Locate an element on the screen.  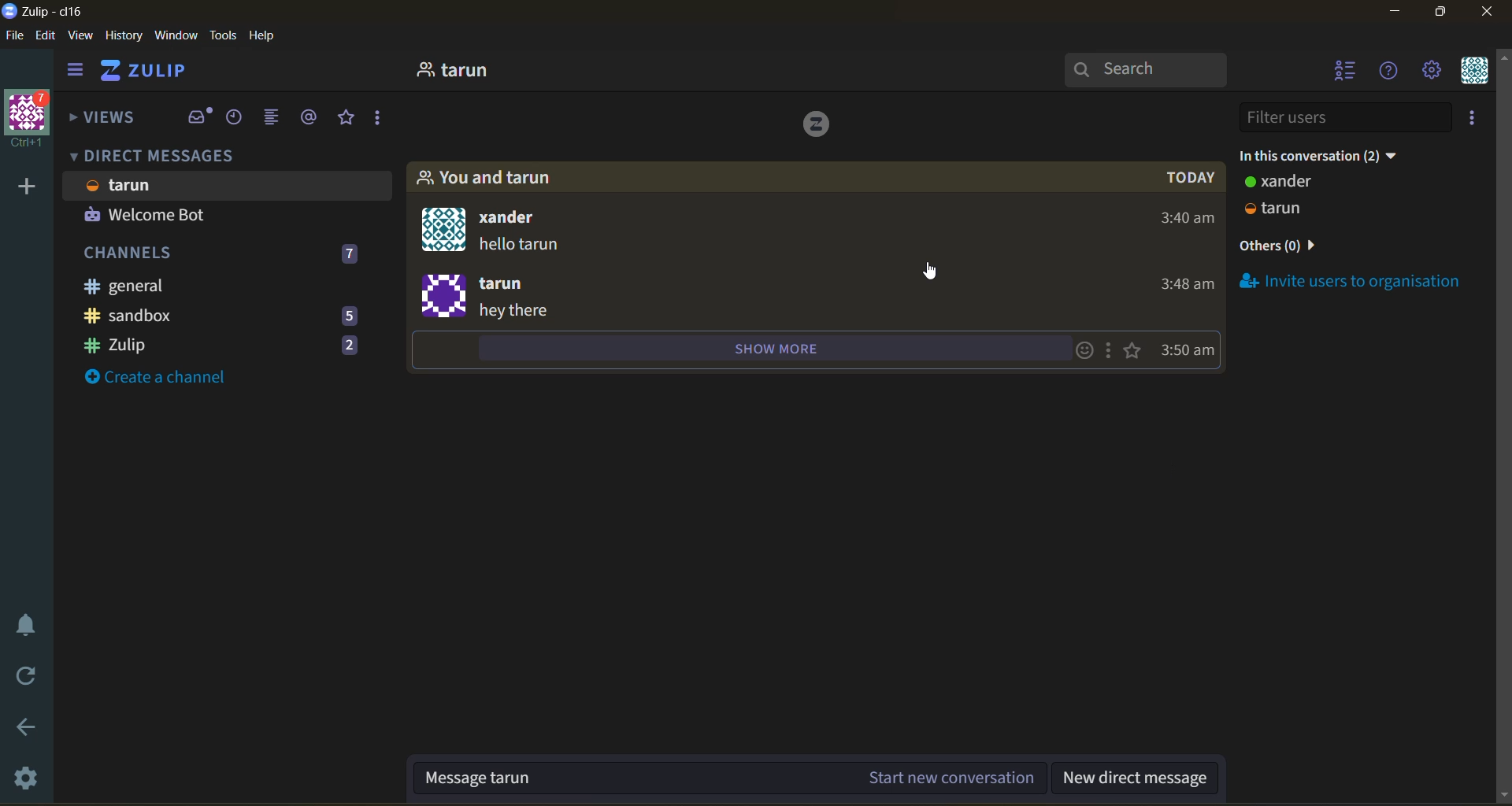
user is located at coordinates (1285, 184).